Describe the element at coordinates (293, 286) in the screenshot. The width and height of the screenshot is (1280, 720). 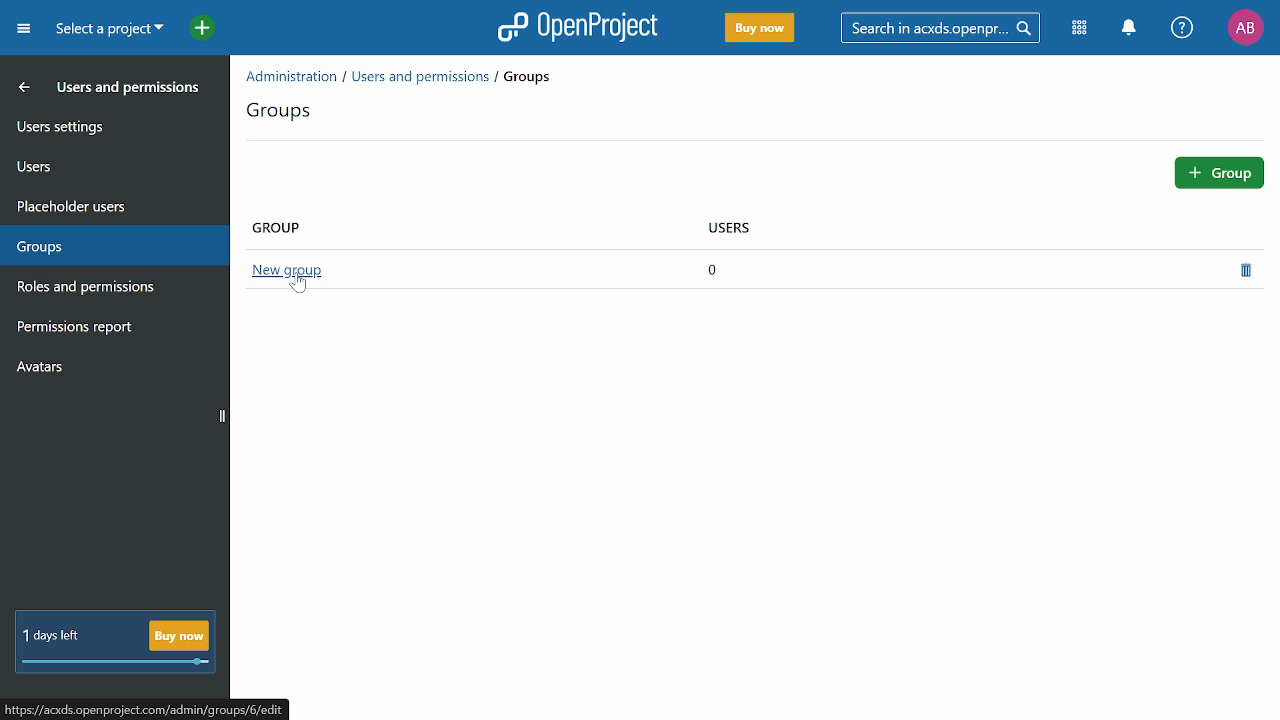
I see `cursor` at that location.